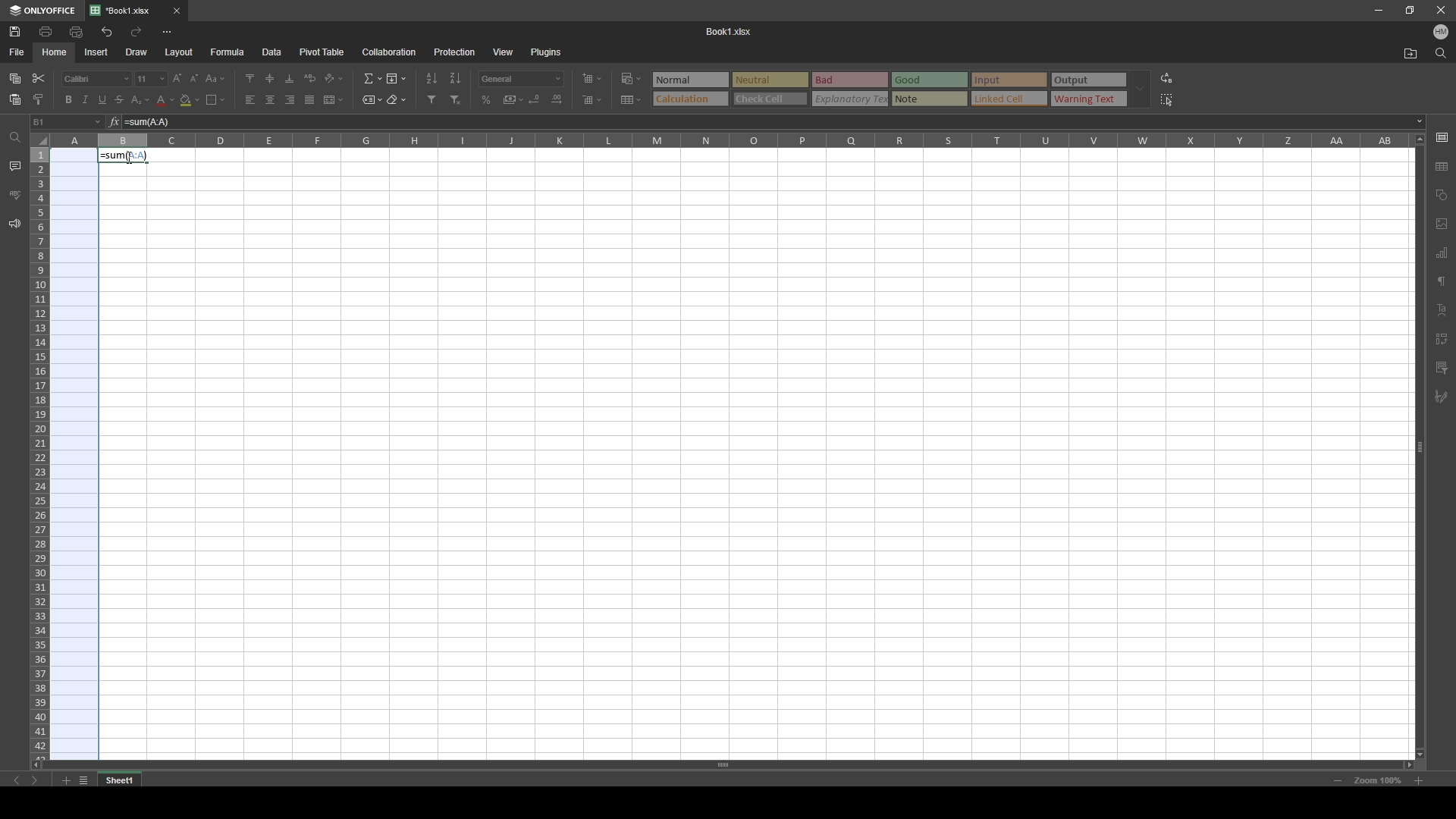 This screenshot has width=1456, height=819. Describe the element at coordinates (290, 78) in the screenshot. I see `align bottom` at that location.